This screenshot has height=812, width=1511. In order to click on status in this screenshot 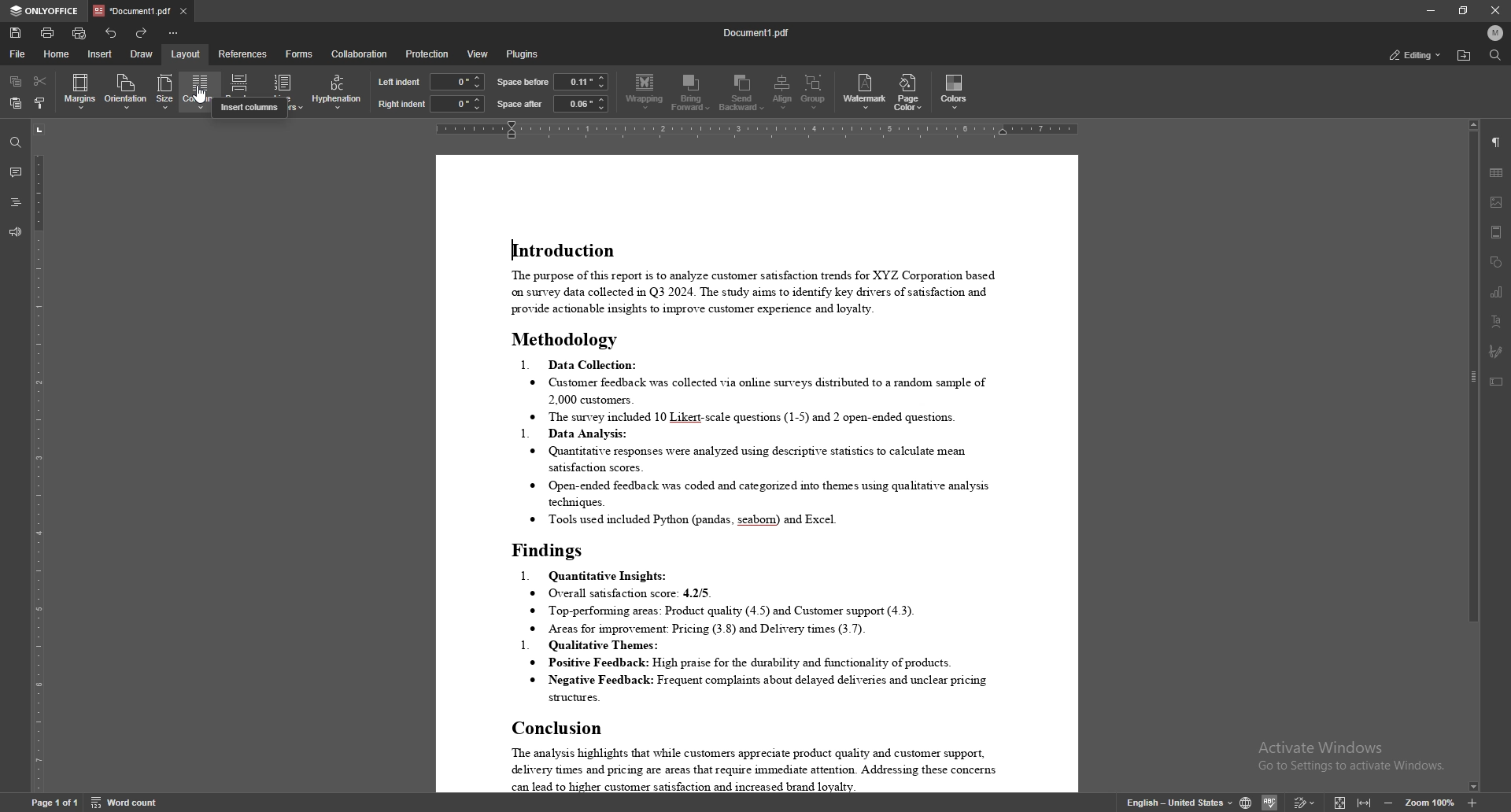, I will do `click(1414, 55)`.